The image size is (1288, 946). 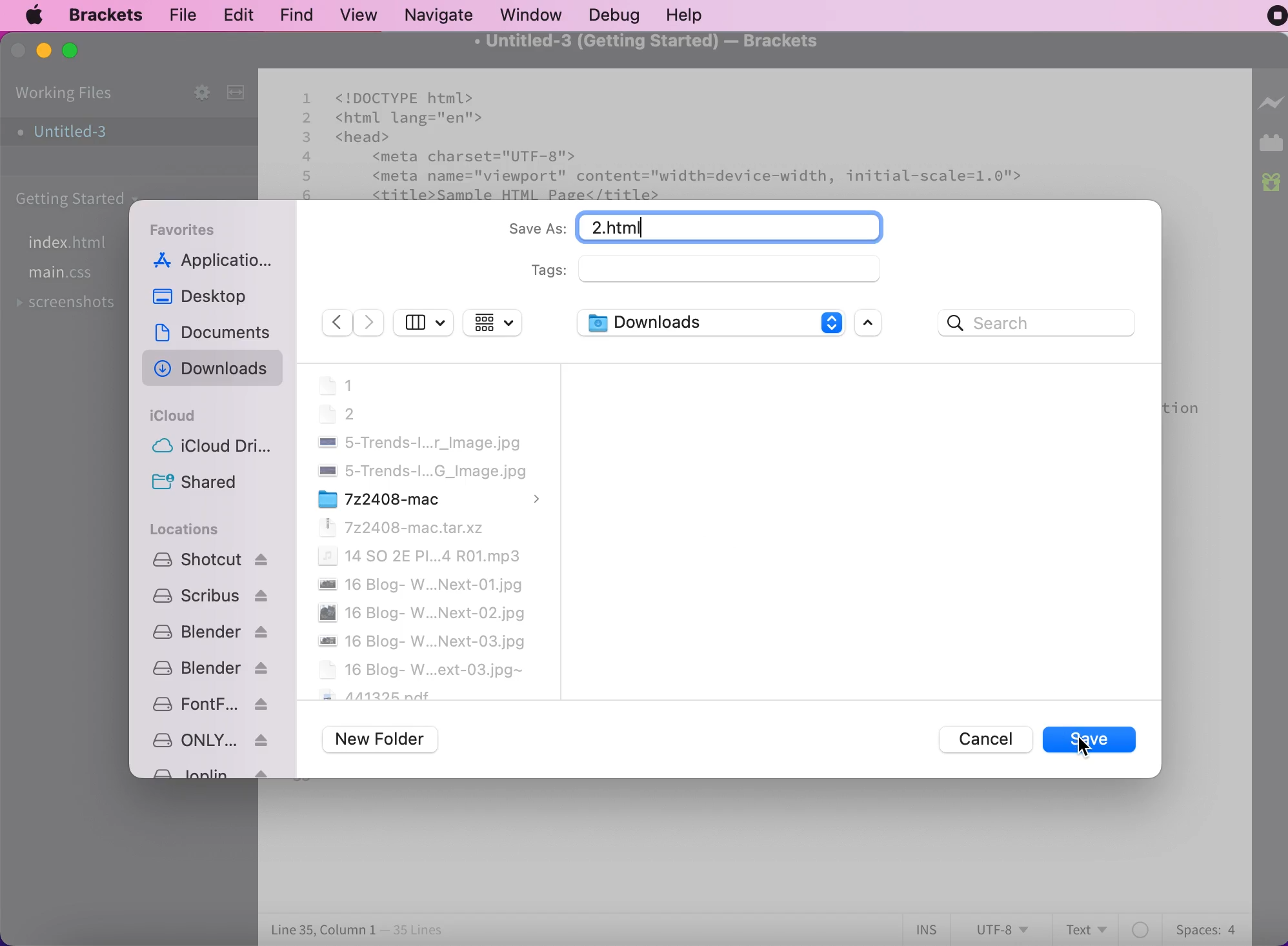 I want to click on open scroll, so click(x=875, y=322).